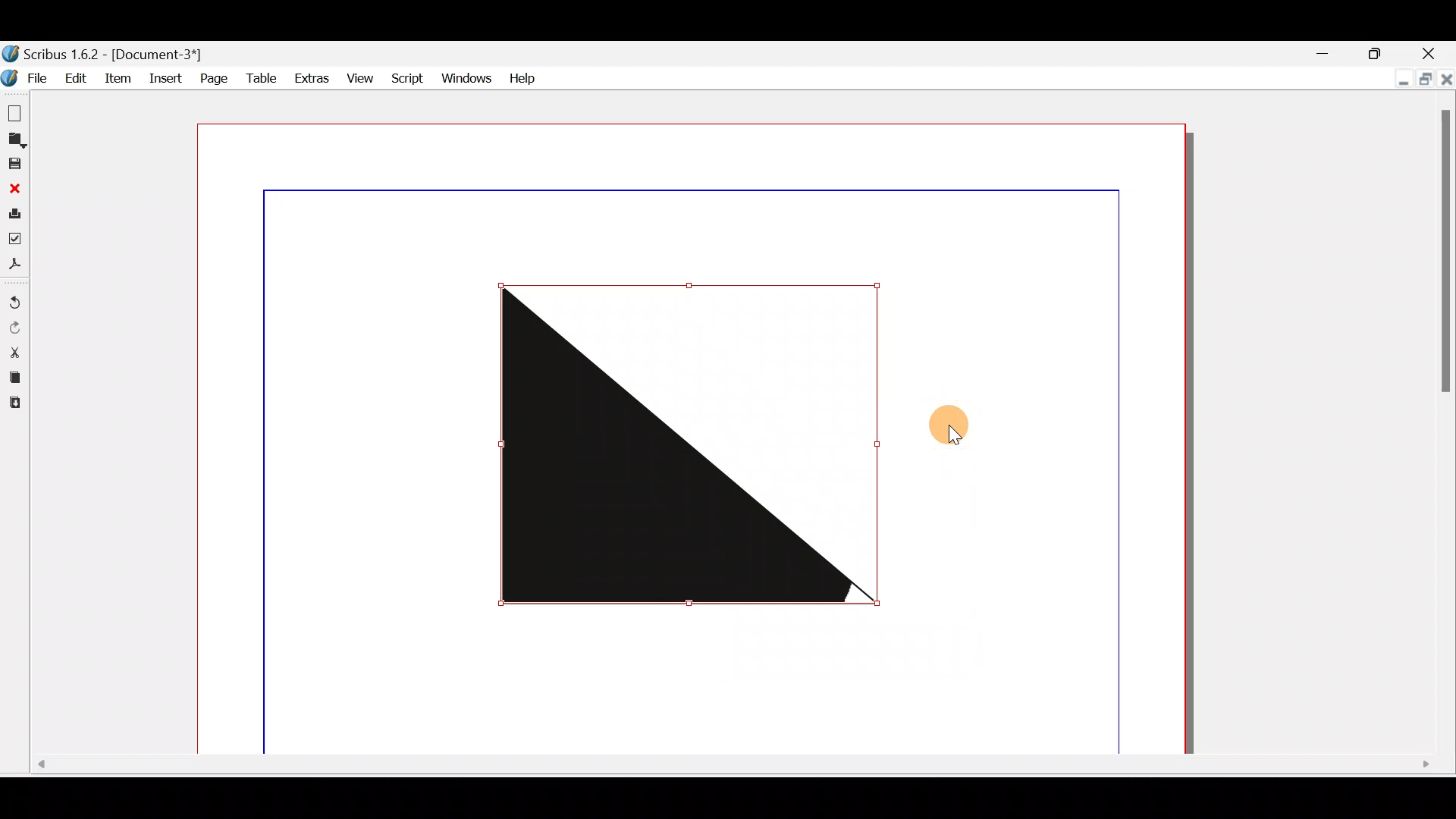 The width and height of the screenshot is (1456, 819). Describe the element at coordinates (1382, 52) in the screenshot. I see `Maximise` at that location.